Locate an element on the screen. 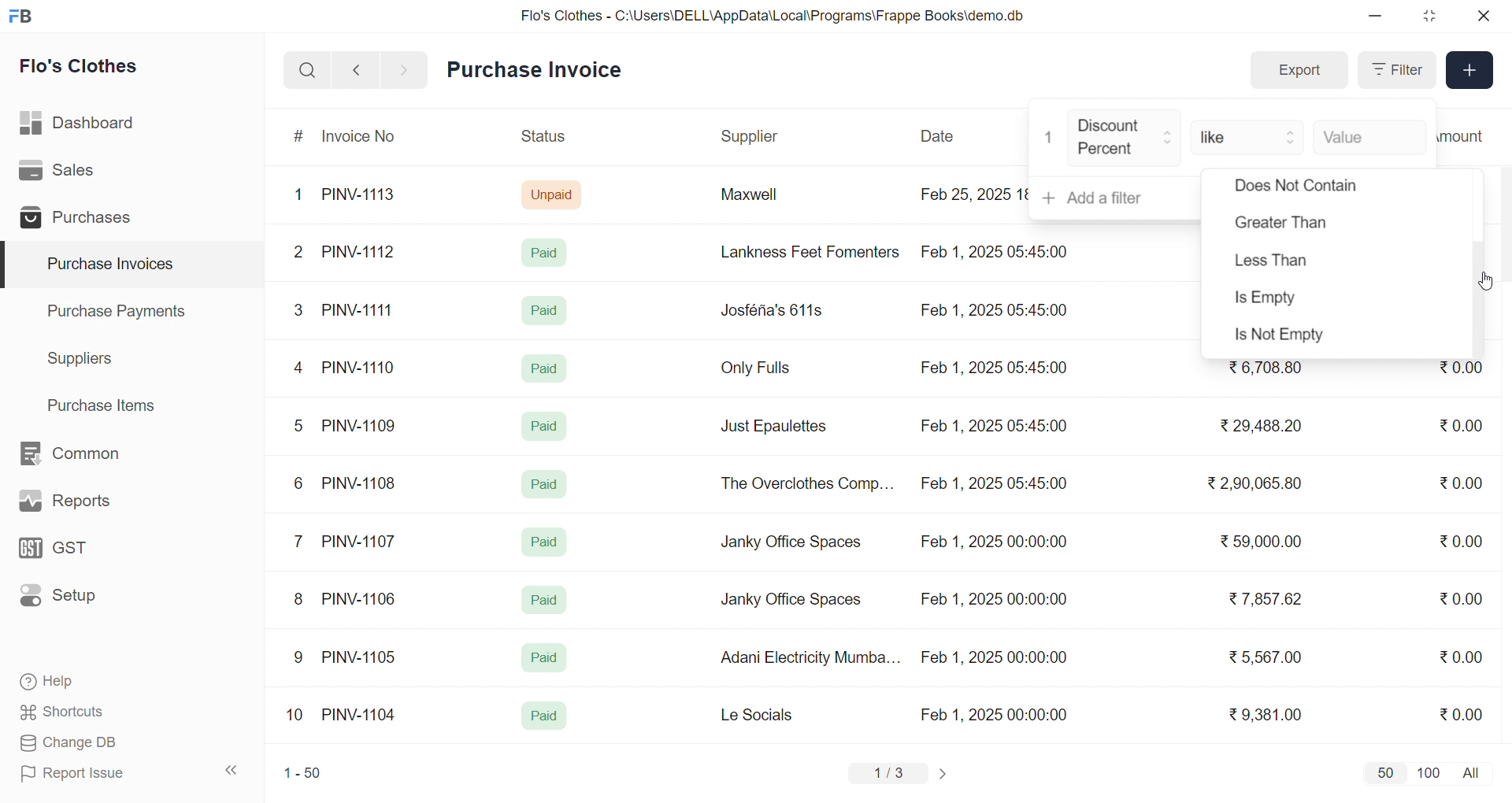 The image size is (1512, 803). Purchase Items is located at coordinates (107, 403).